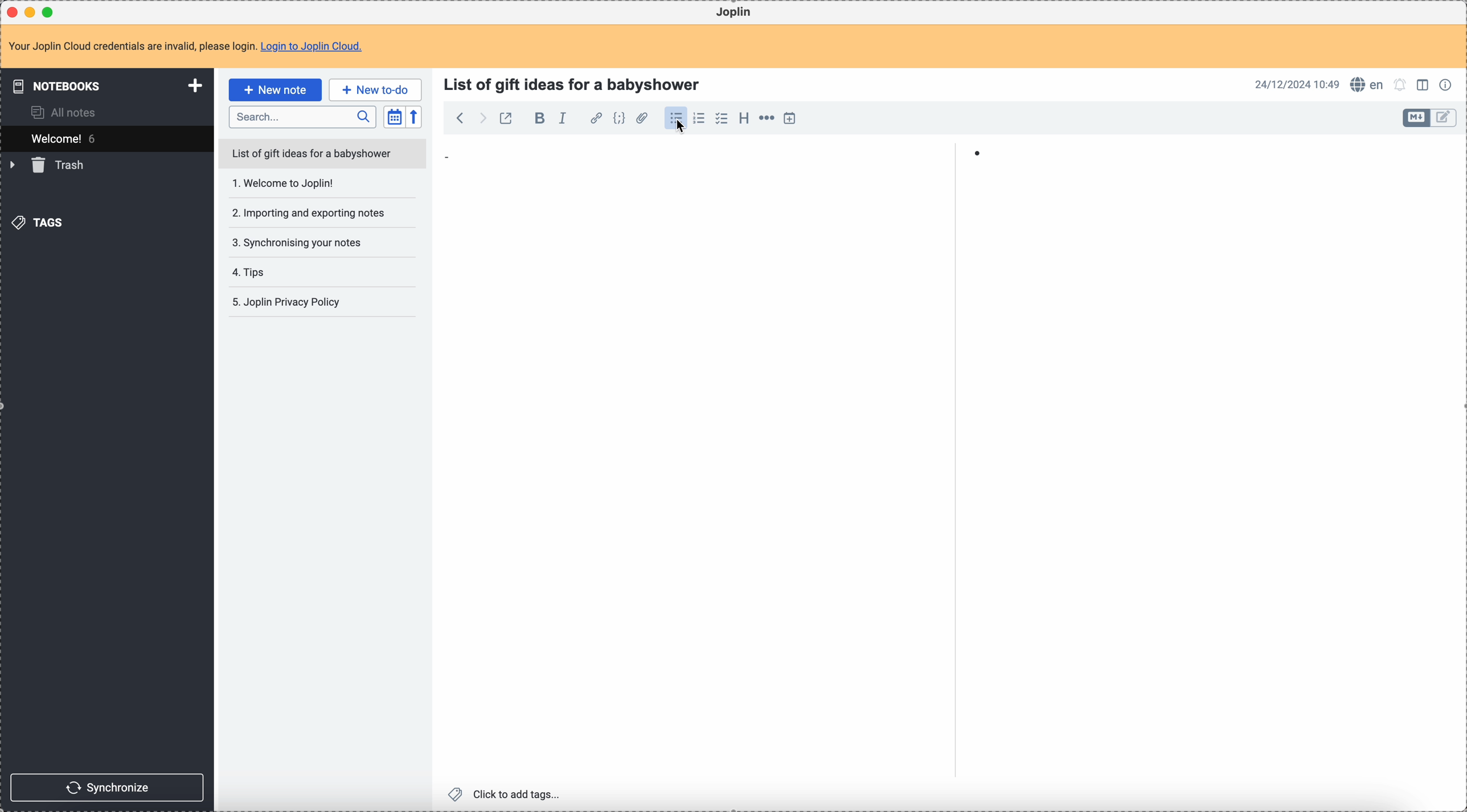 This screenshot has height=812, width=1467. I want to click on heading, so click(744, 121).